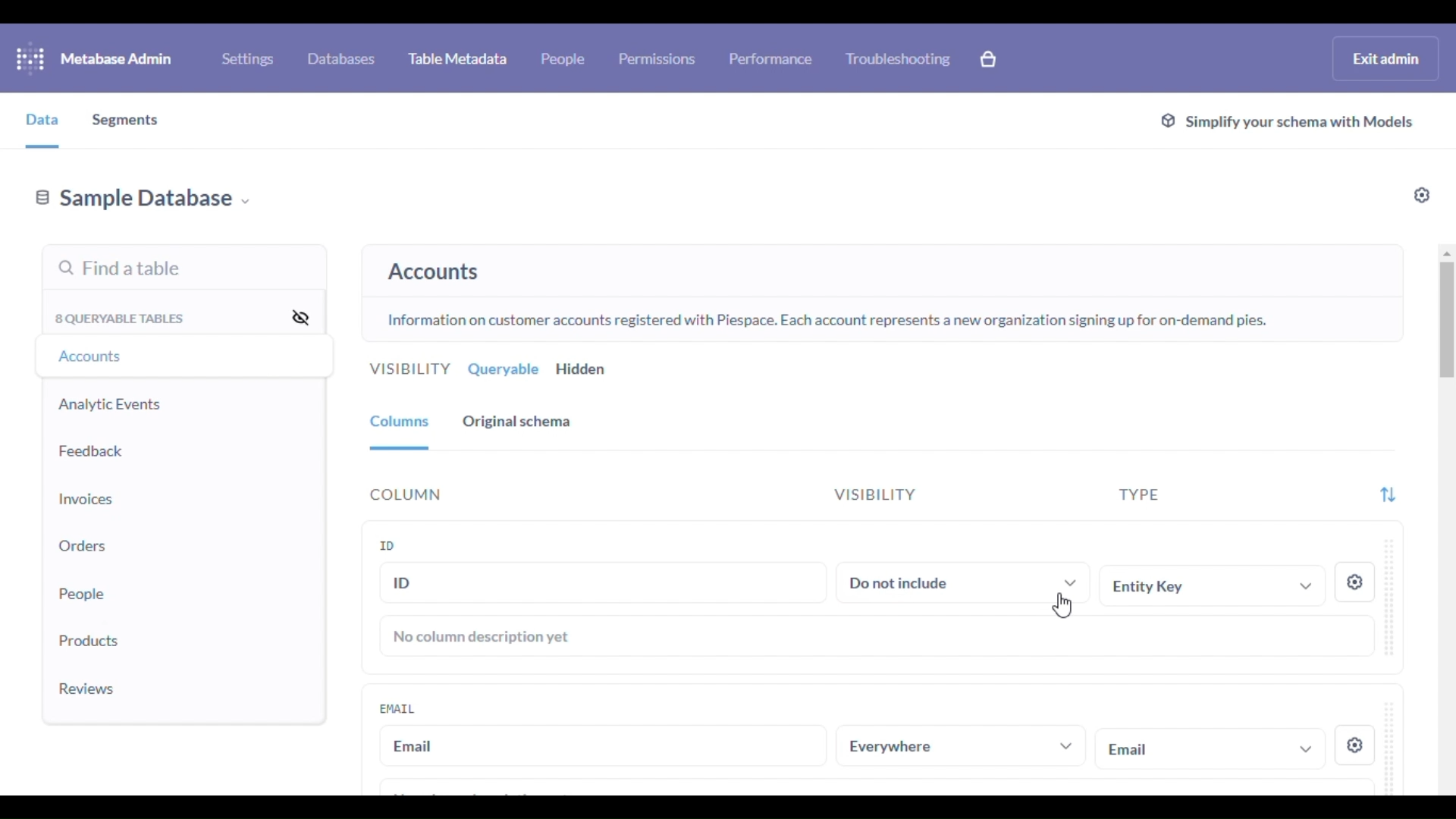  Describe the element at coordinates (400, 424) in the screenshot. I see `columns` at that location.